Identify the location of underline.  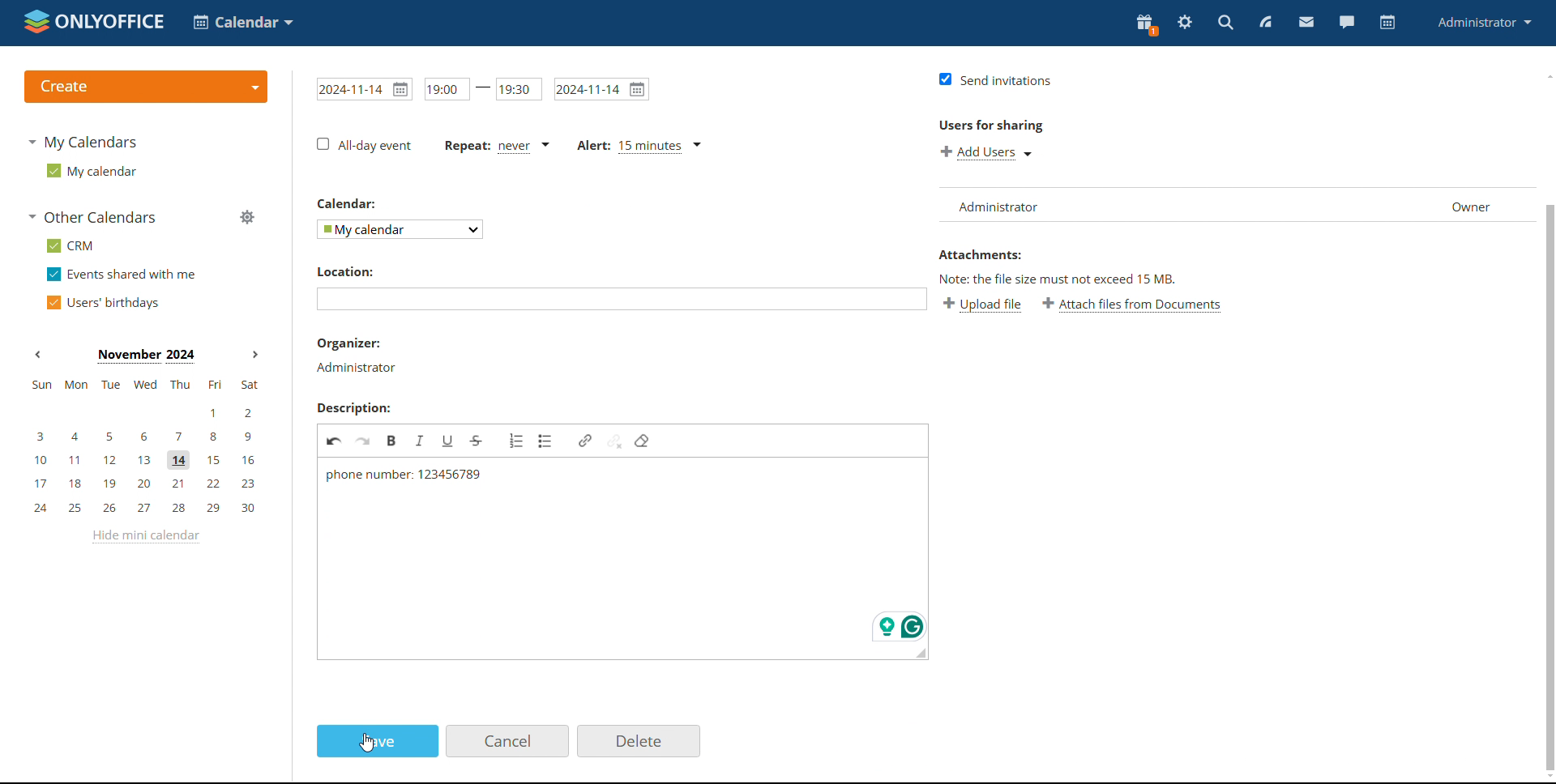
(447, 441).